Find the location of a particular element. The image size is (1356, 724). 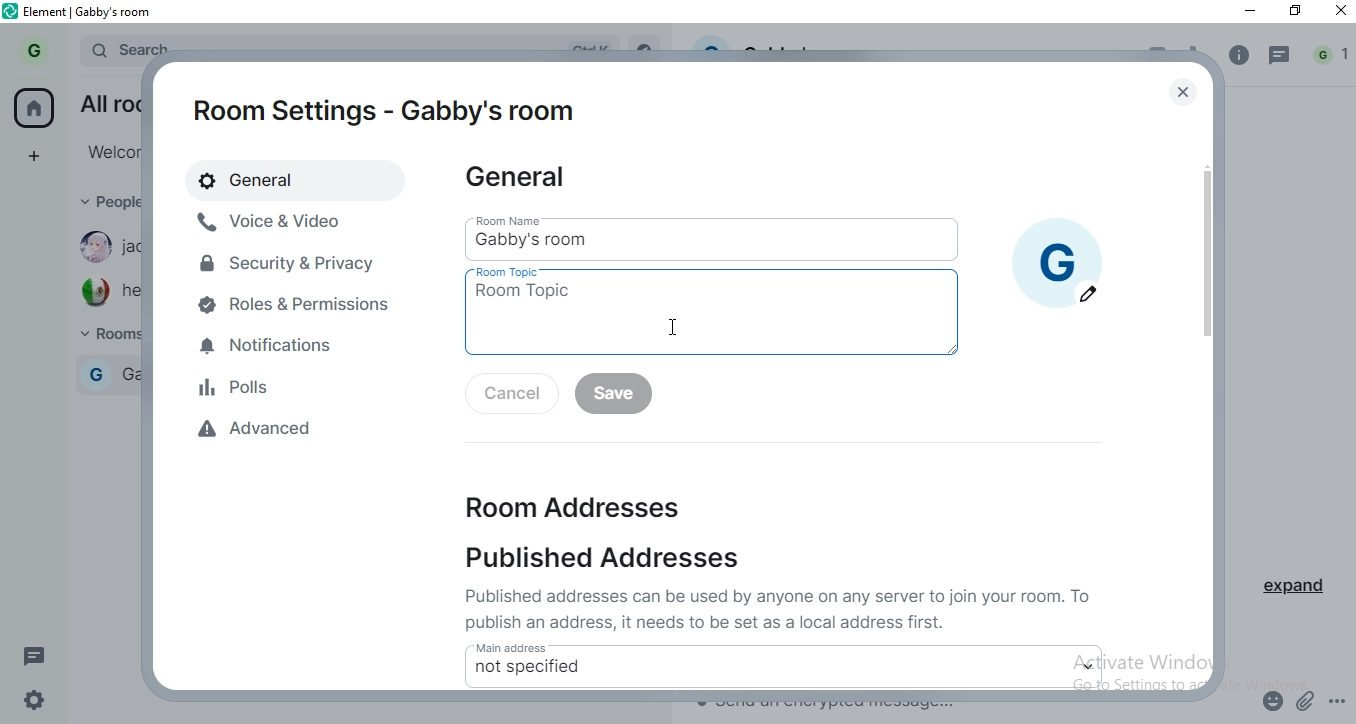

scroll bar is located at coordinates (1206, 284).